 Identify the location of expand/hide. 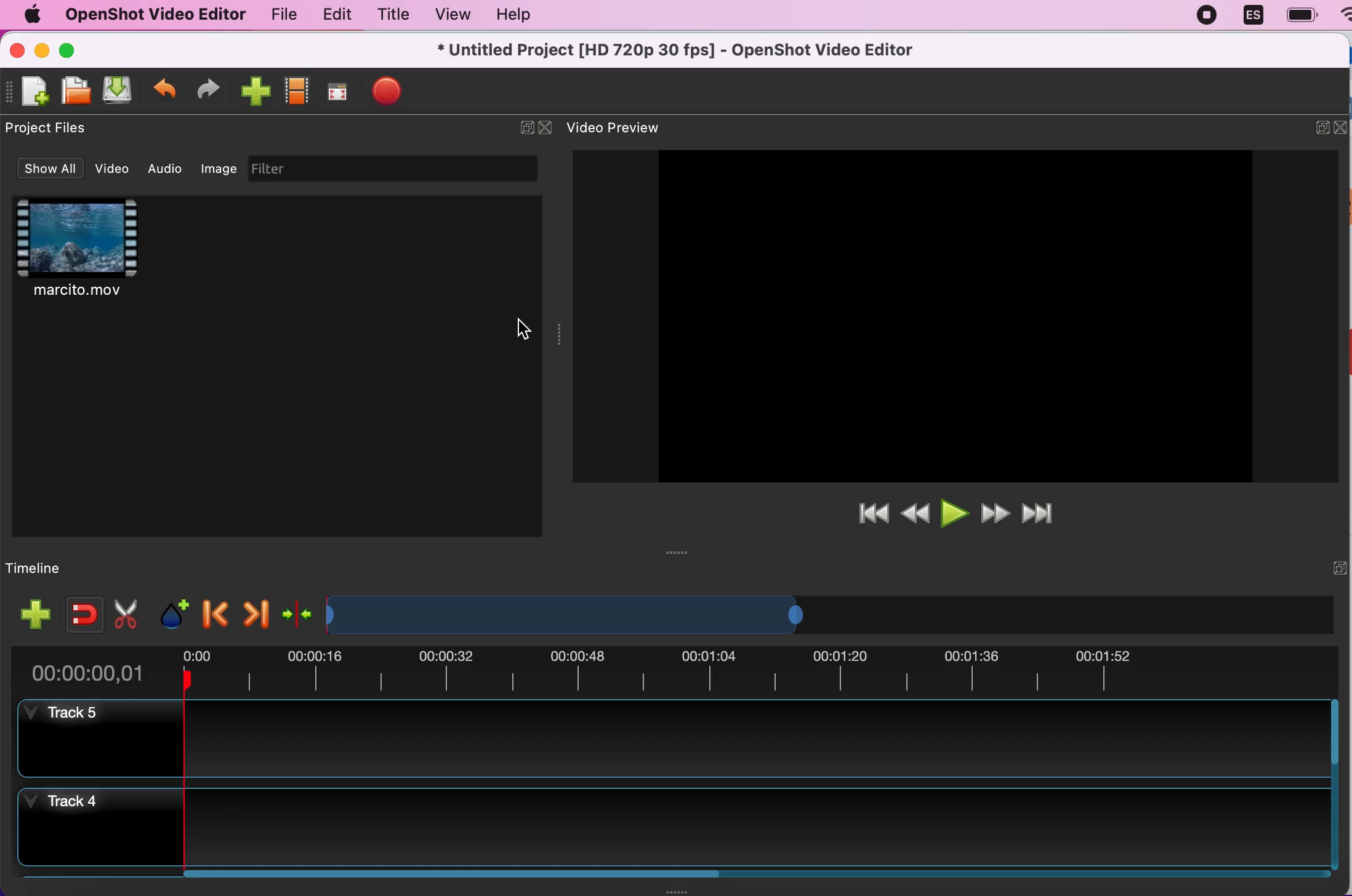
(1325, 572).